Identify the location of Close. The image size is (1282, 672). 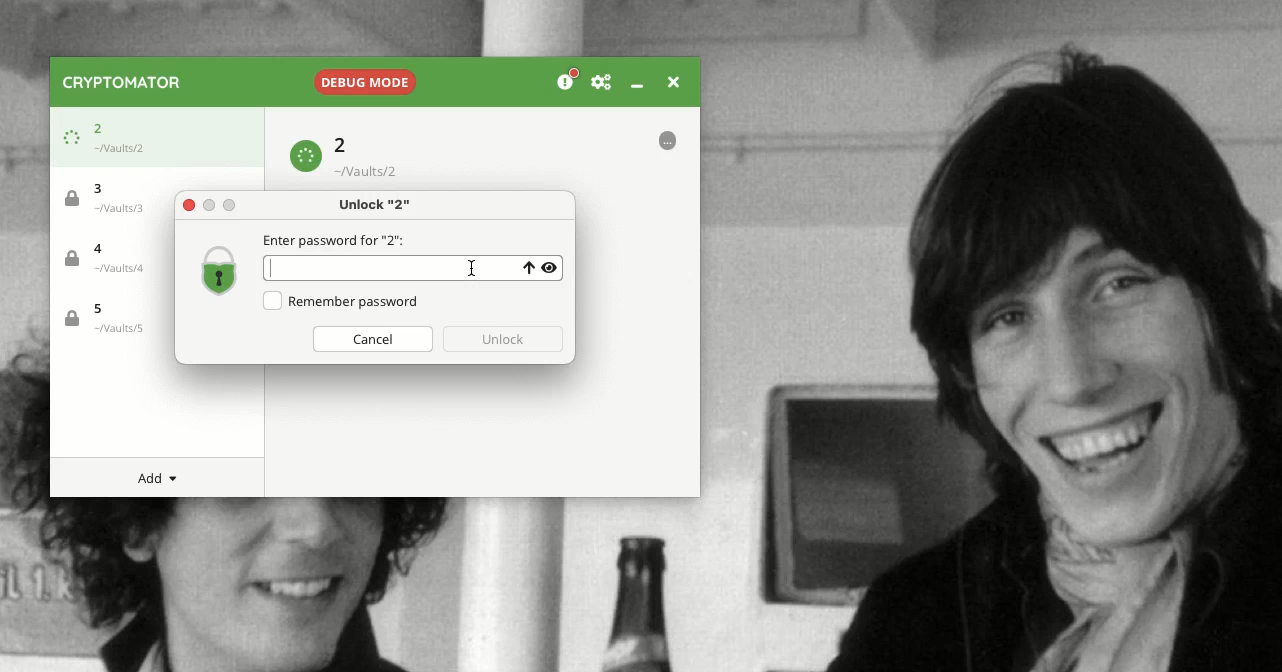
(671, 80).